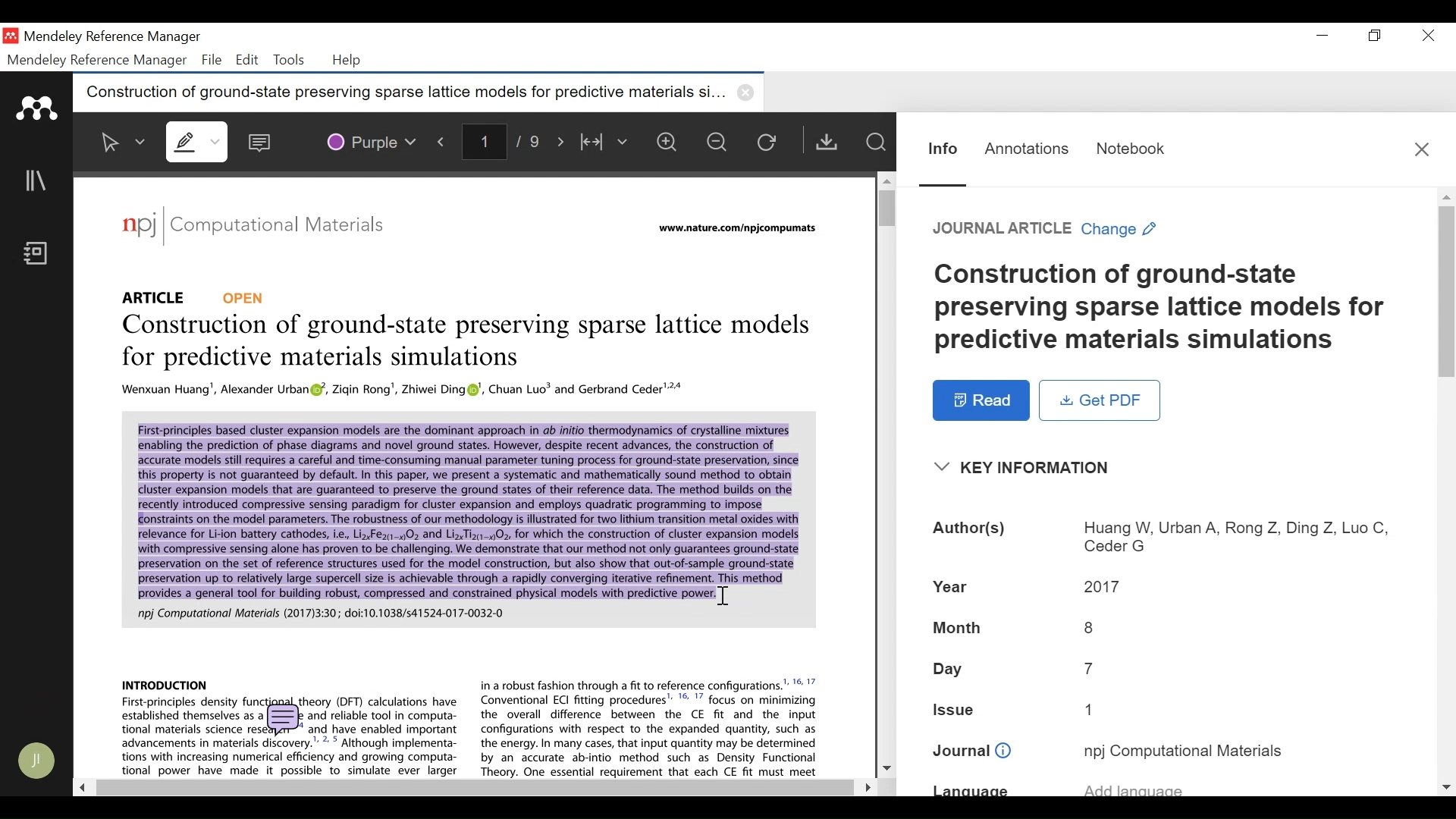 This screenshot has height=819, width=1456. What do you see at coordinates (139, 224) in the screenshot?
I see `logo` at bounding box center [139, 224].